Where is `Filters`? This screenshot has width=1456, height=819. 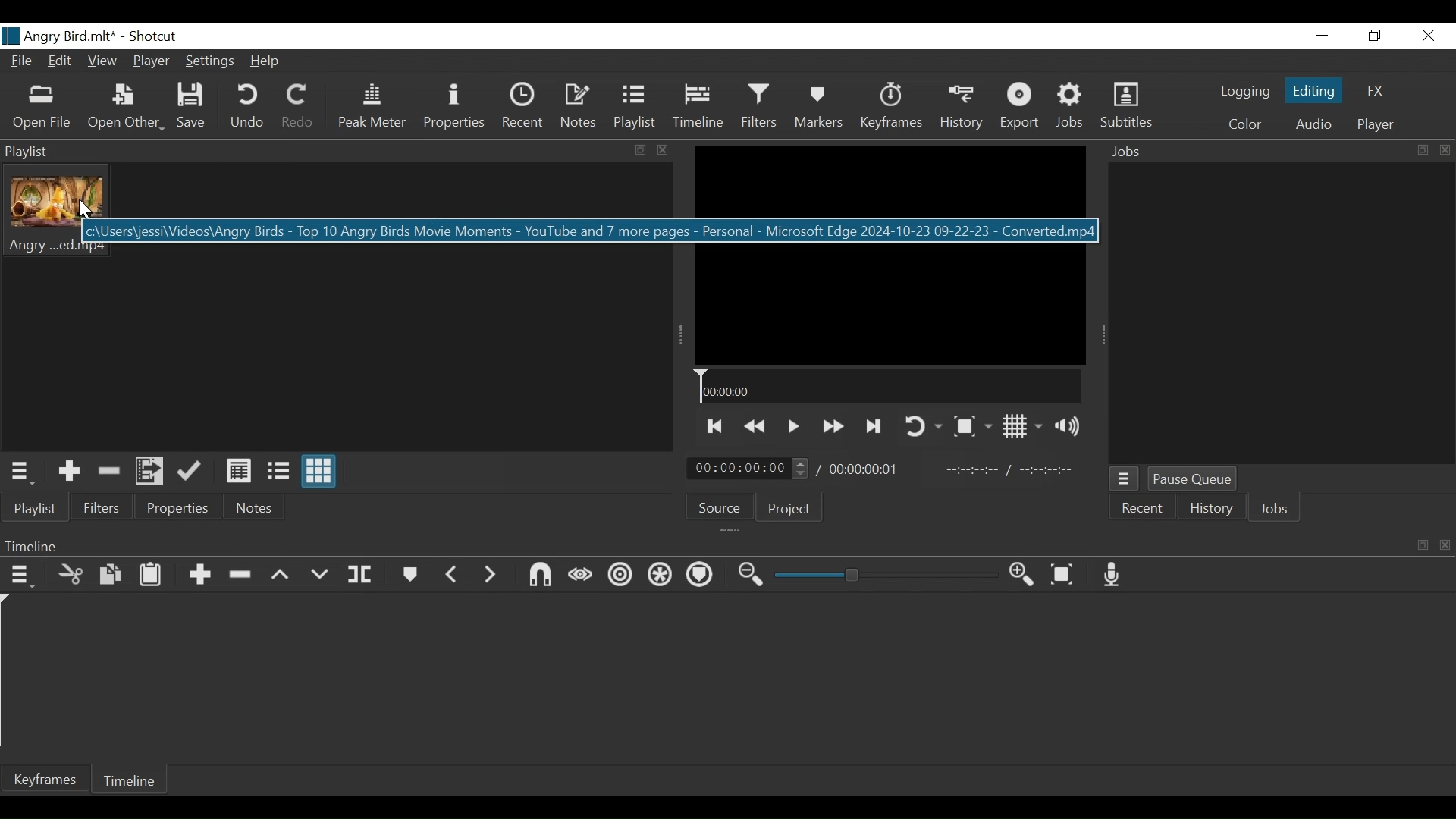 Filters is located at coordinates (759, 106).